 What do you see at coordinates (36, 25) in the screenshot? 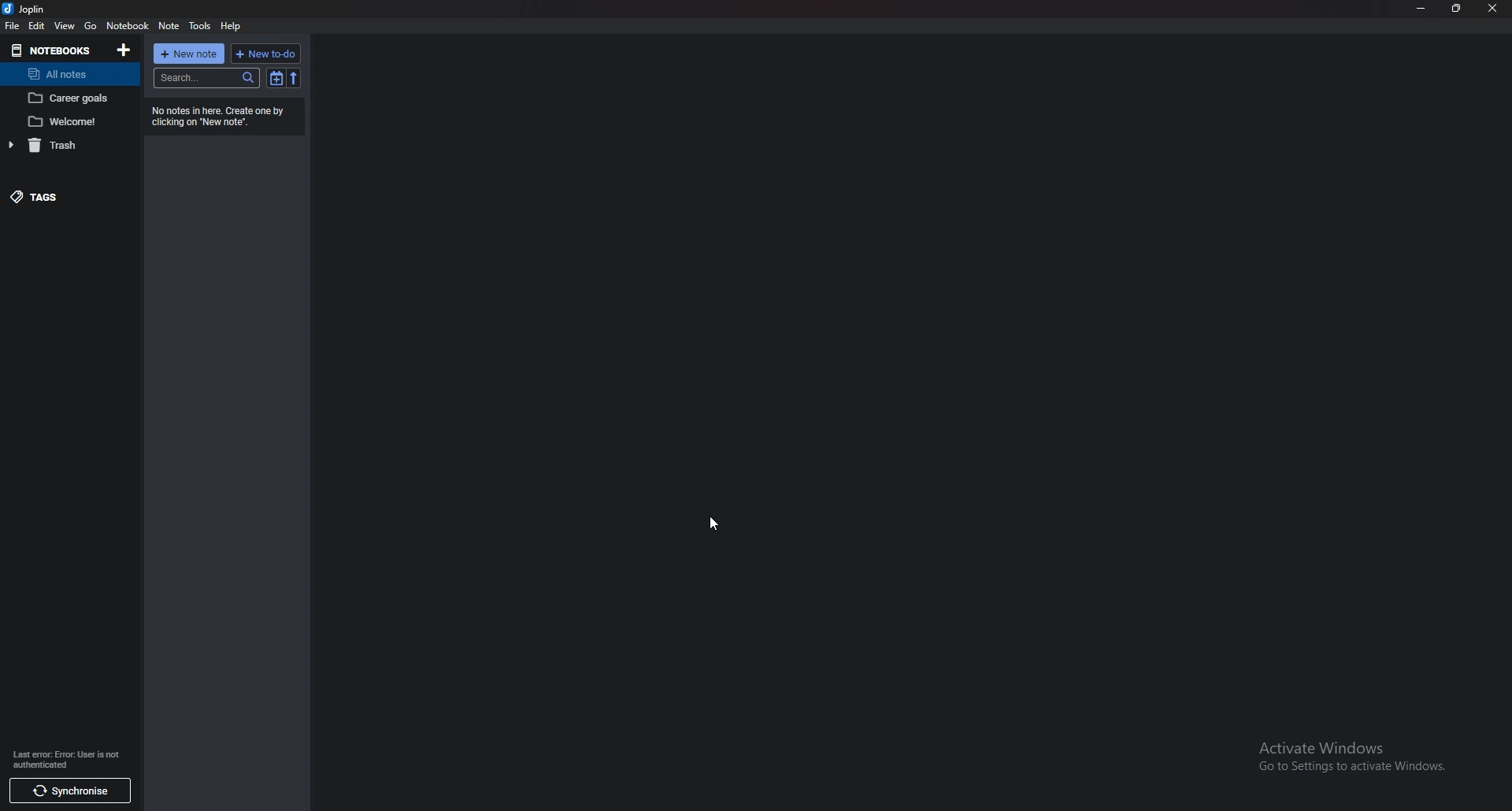
I see `edit` at bounding box center [36, 25].